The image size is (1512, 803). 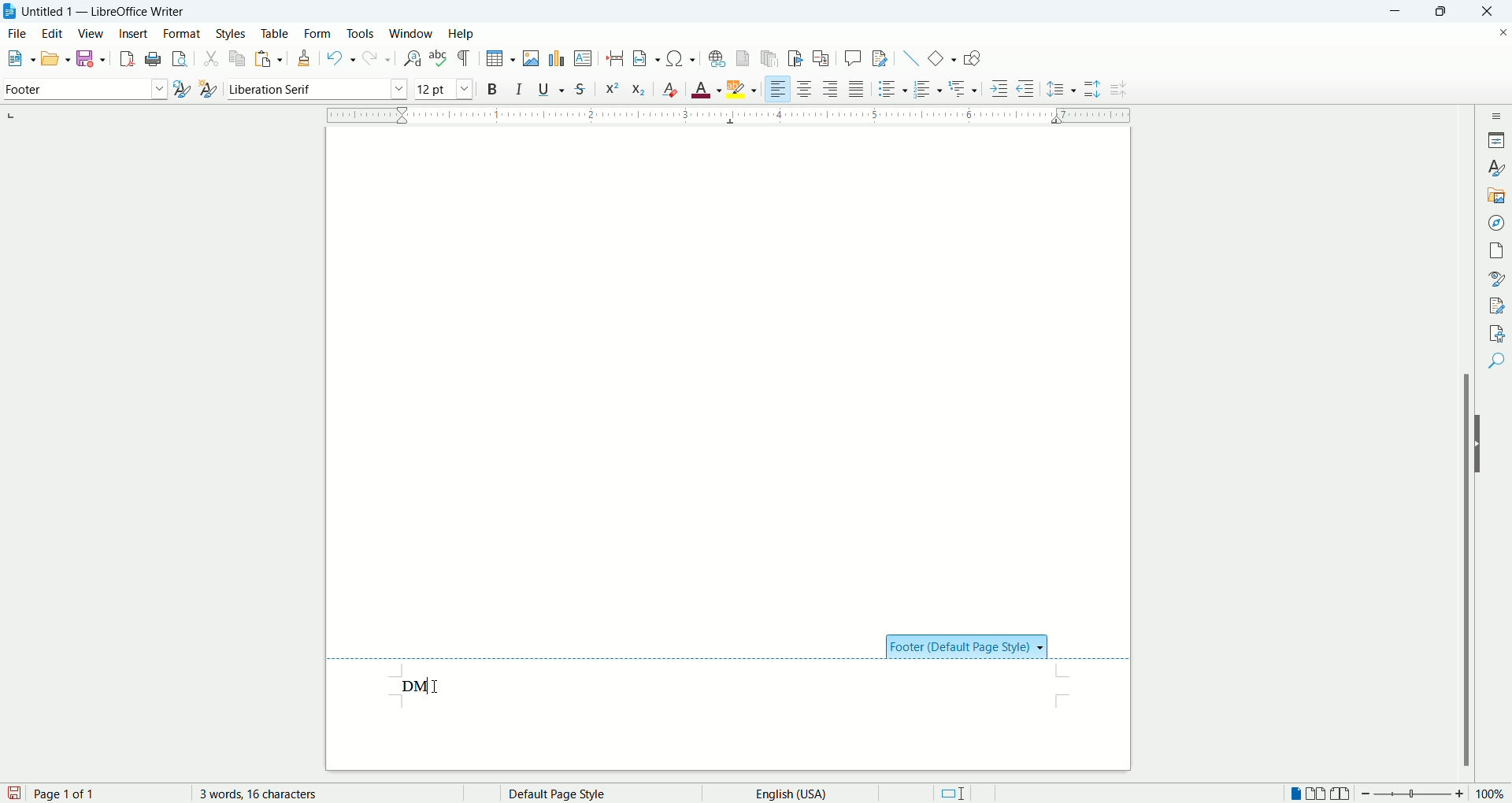 I want to click on navigator, so click(x=1499, y=221).